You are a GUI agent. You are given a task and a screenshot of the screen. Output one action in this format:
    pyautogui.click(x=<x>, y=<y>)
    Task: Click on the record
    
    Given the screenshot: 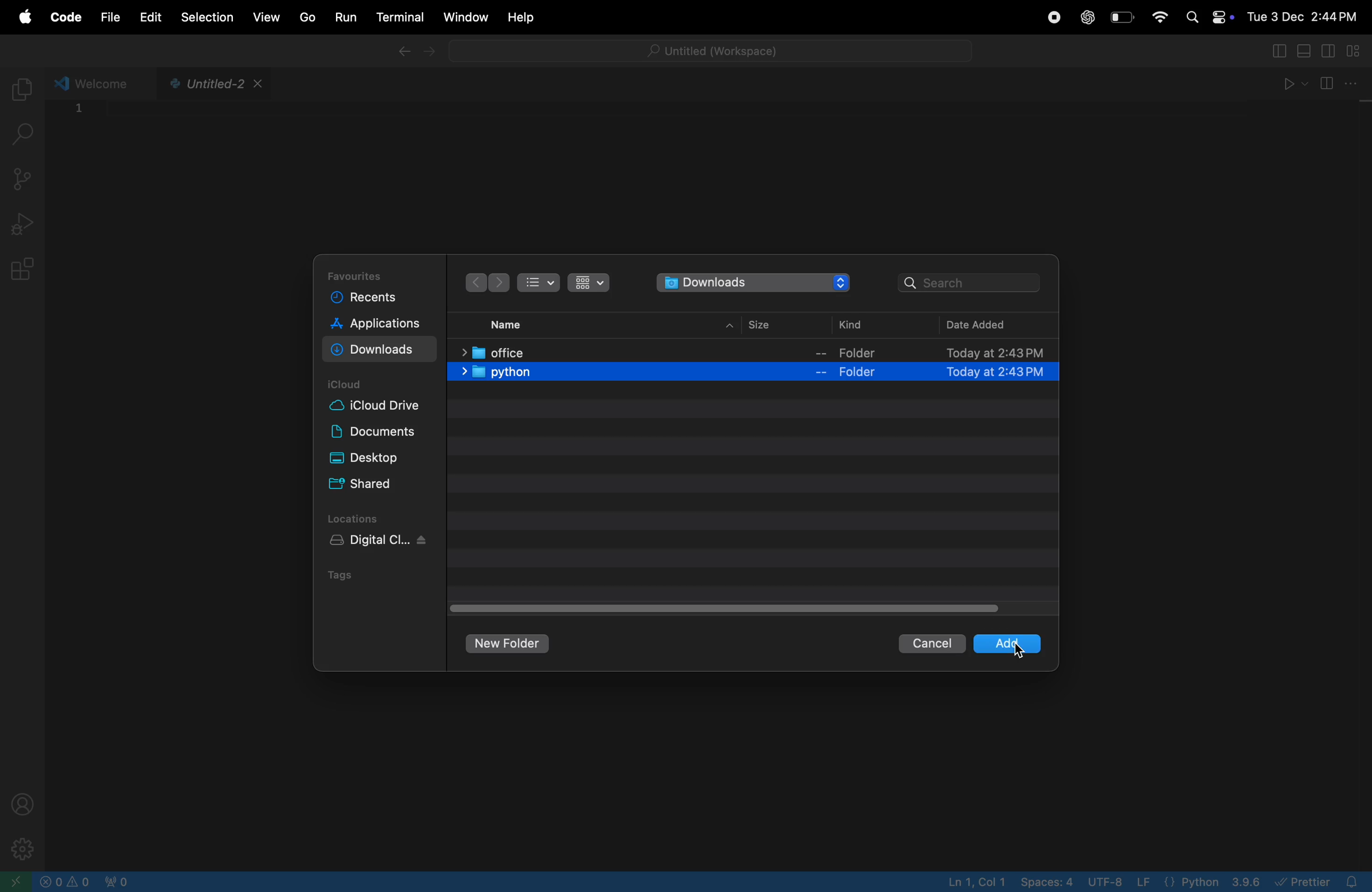 What is the action you would take?
    pyautogui.click(x=1053, y=17)
    